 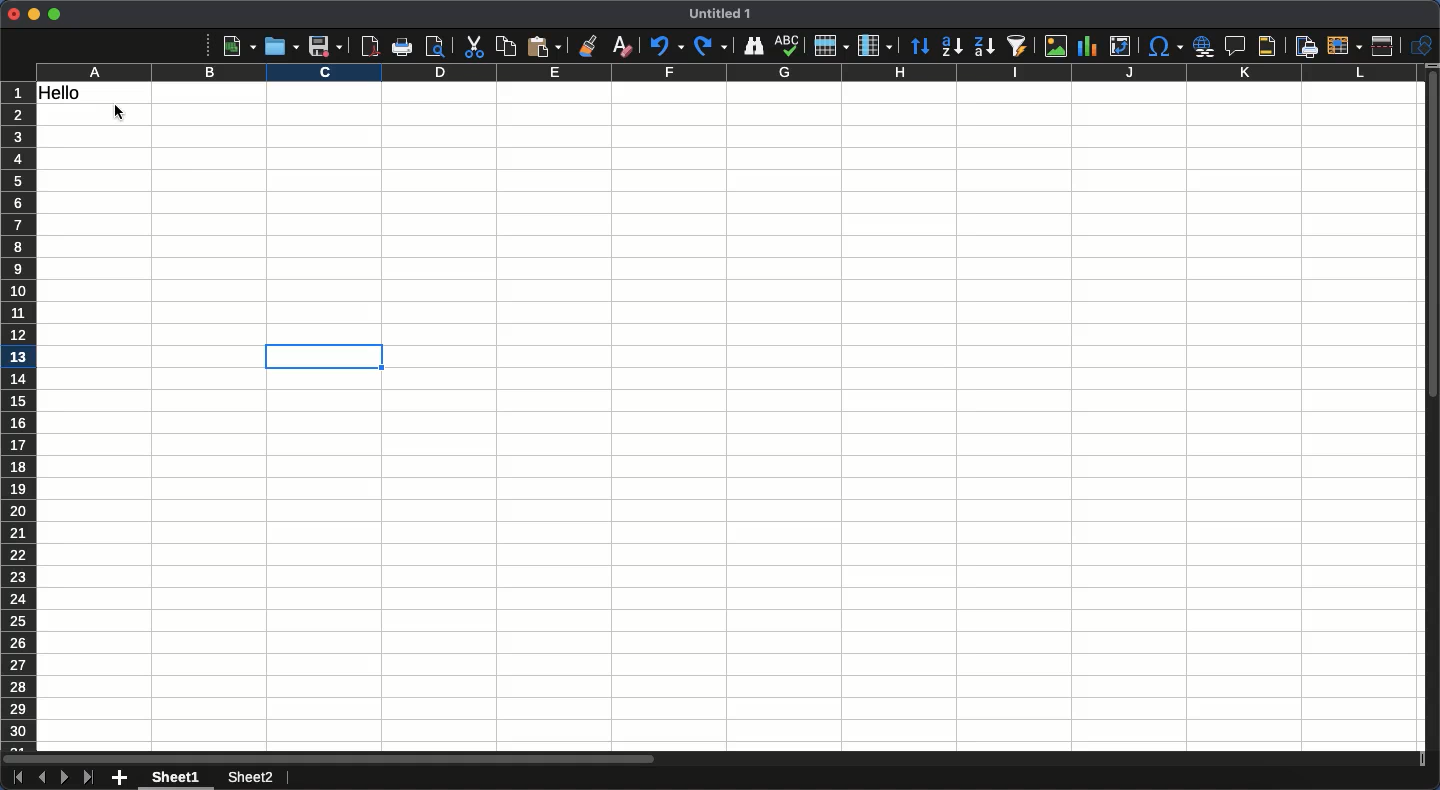 What do you see at coordinates (1305, 47) in the screenshot?
I see `Define print area` at bounding box center [1305, 47].